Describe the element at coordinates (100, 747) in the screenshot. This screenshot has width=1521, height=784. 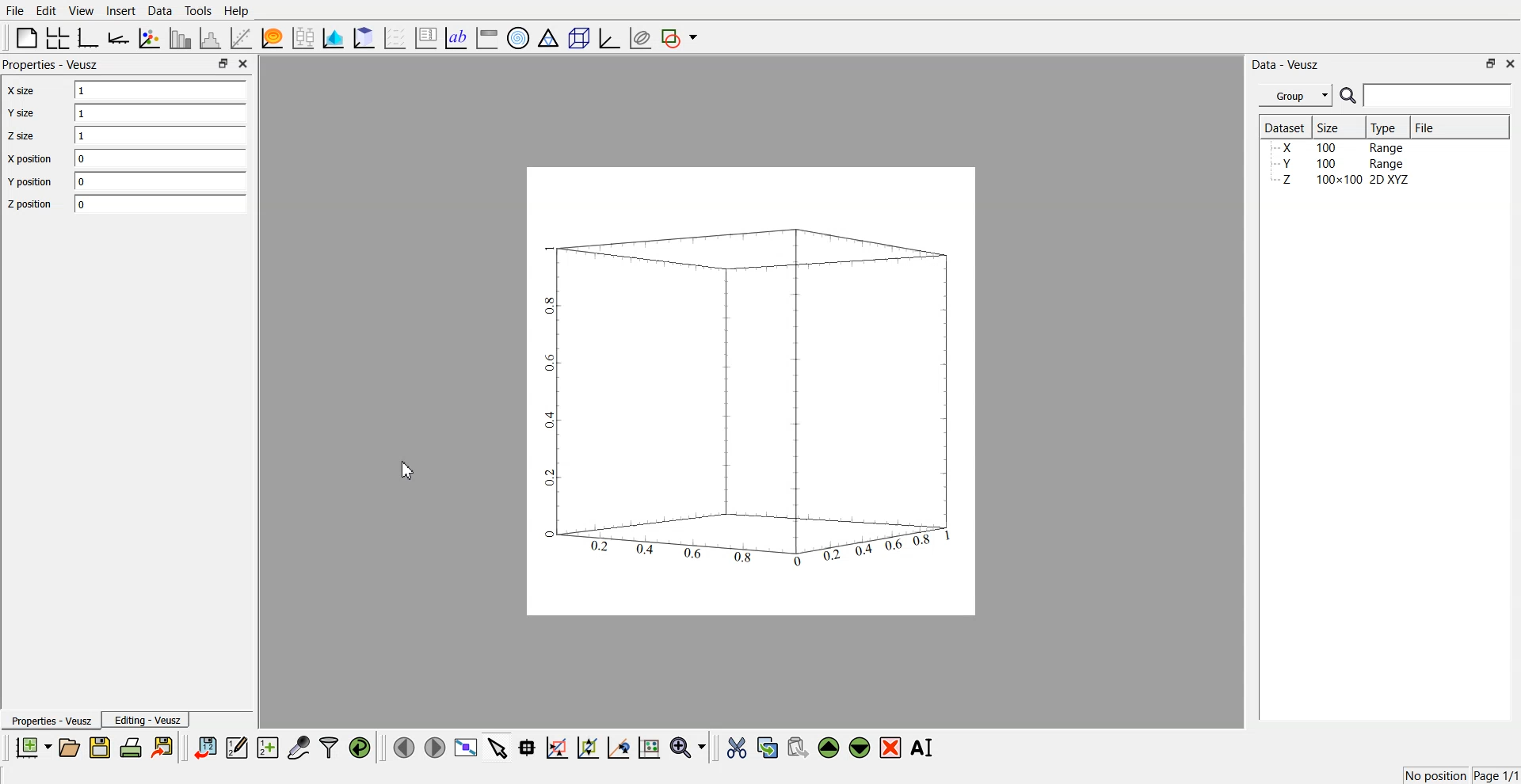
I see `Save the document` at that location.